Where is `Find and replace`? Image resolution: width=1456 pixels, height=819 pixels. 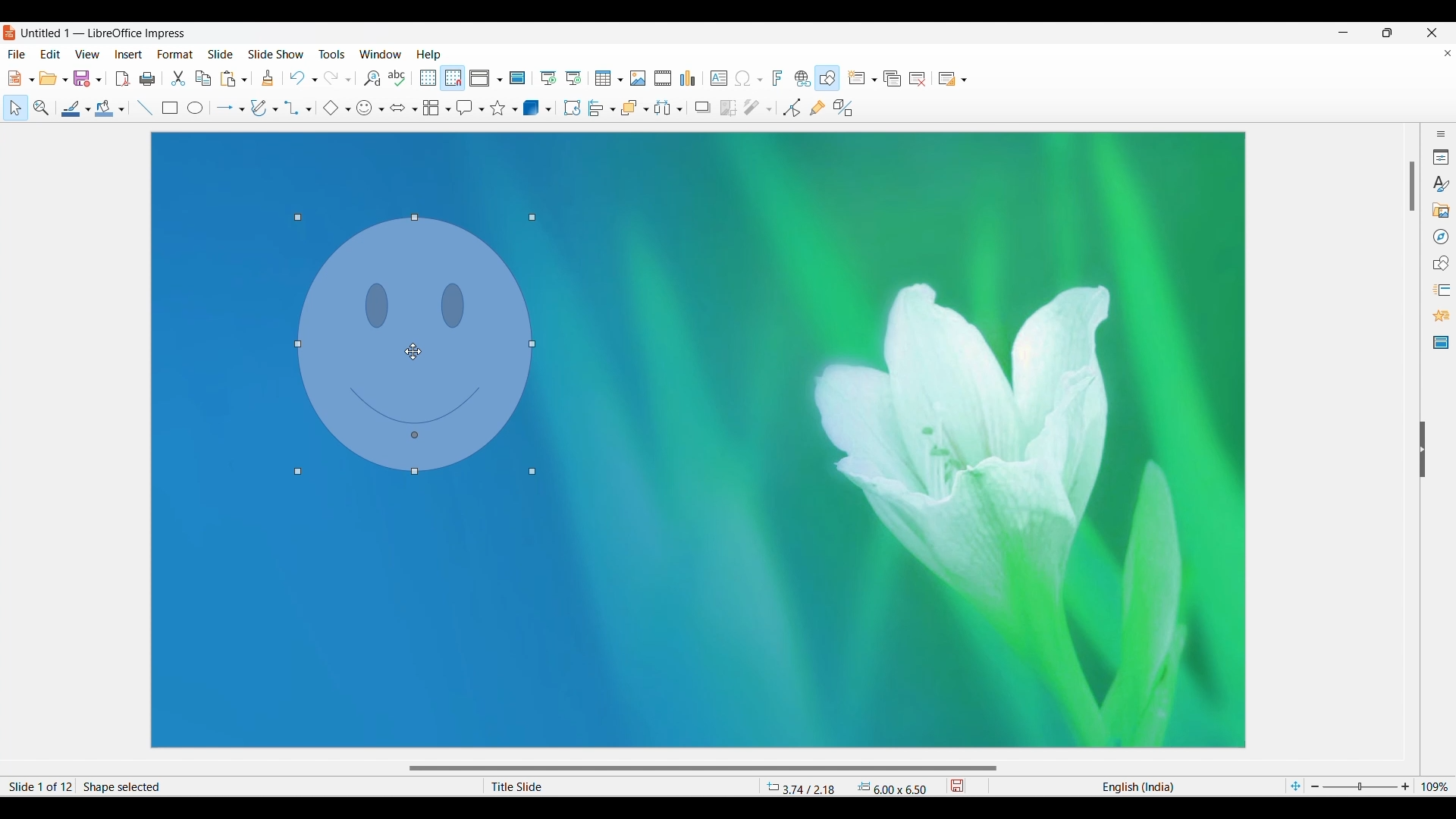 Find and replace is located at coordinates (372, 78).